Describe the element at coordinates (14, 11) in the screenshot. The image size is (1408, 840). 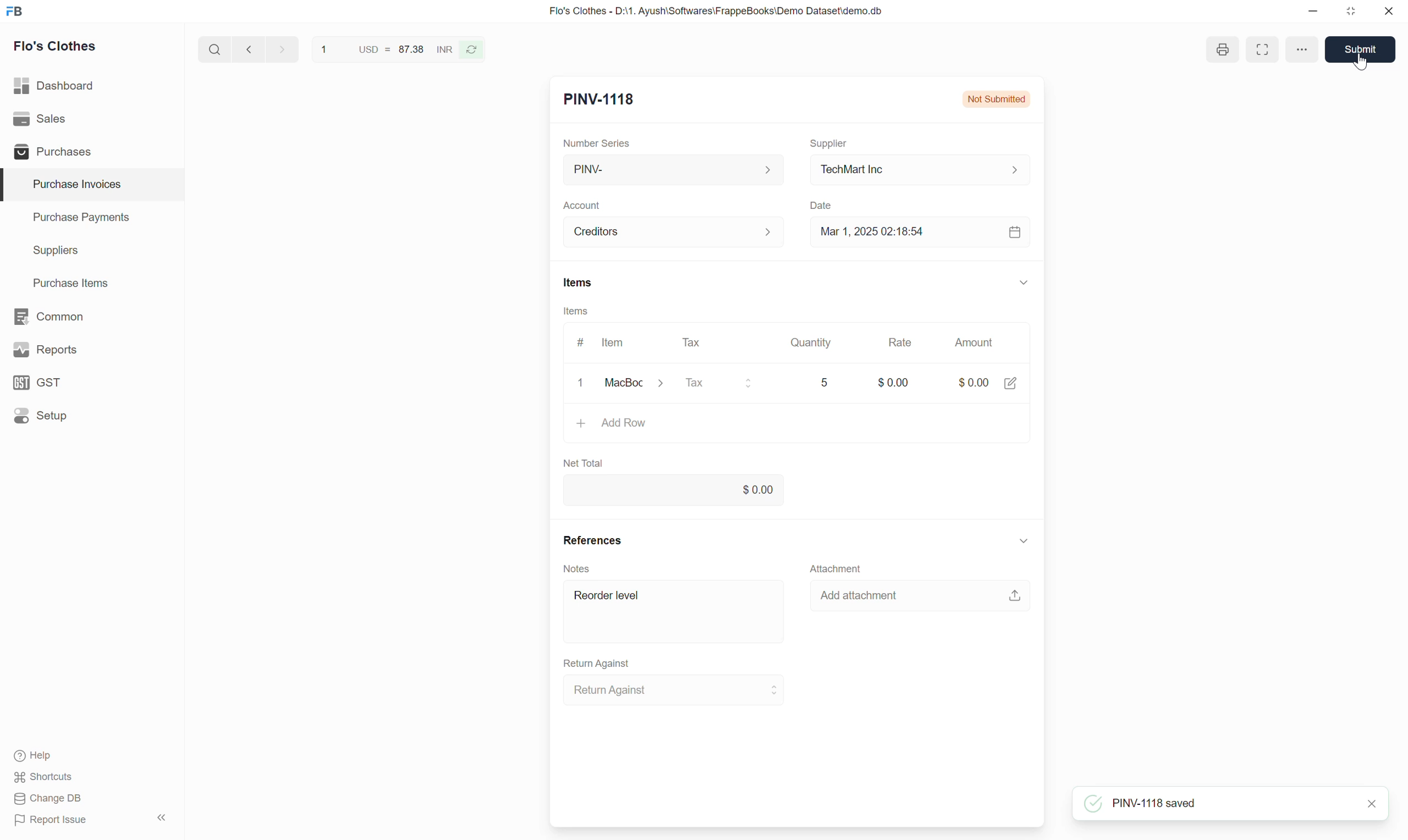
I see `Frappe Books logo` at that location.